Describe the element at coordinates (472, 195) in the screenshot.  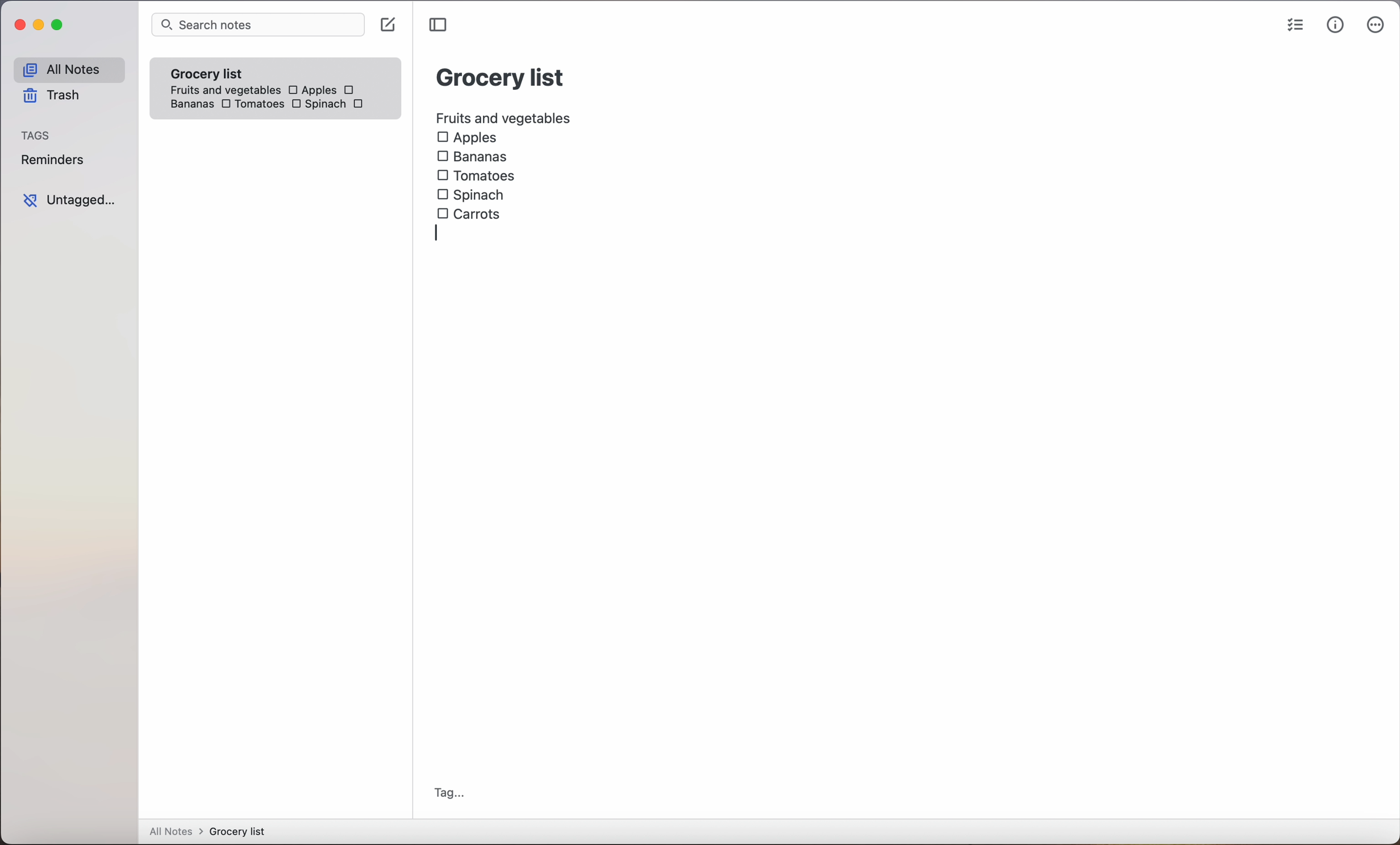
I see `Spinach checkbox` at that location.